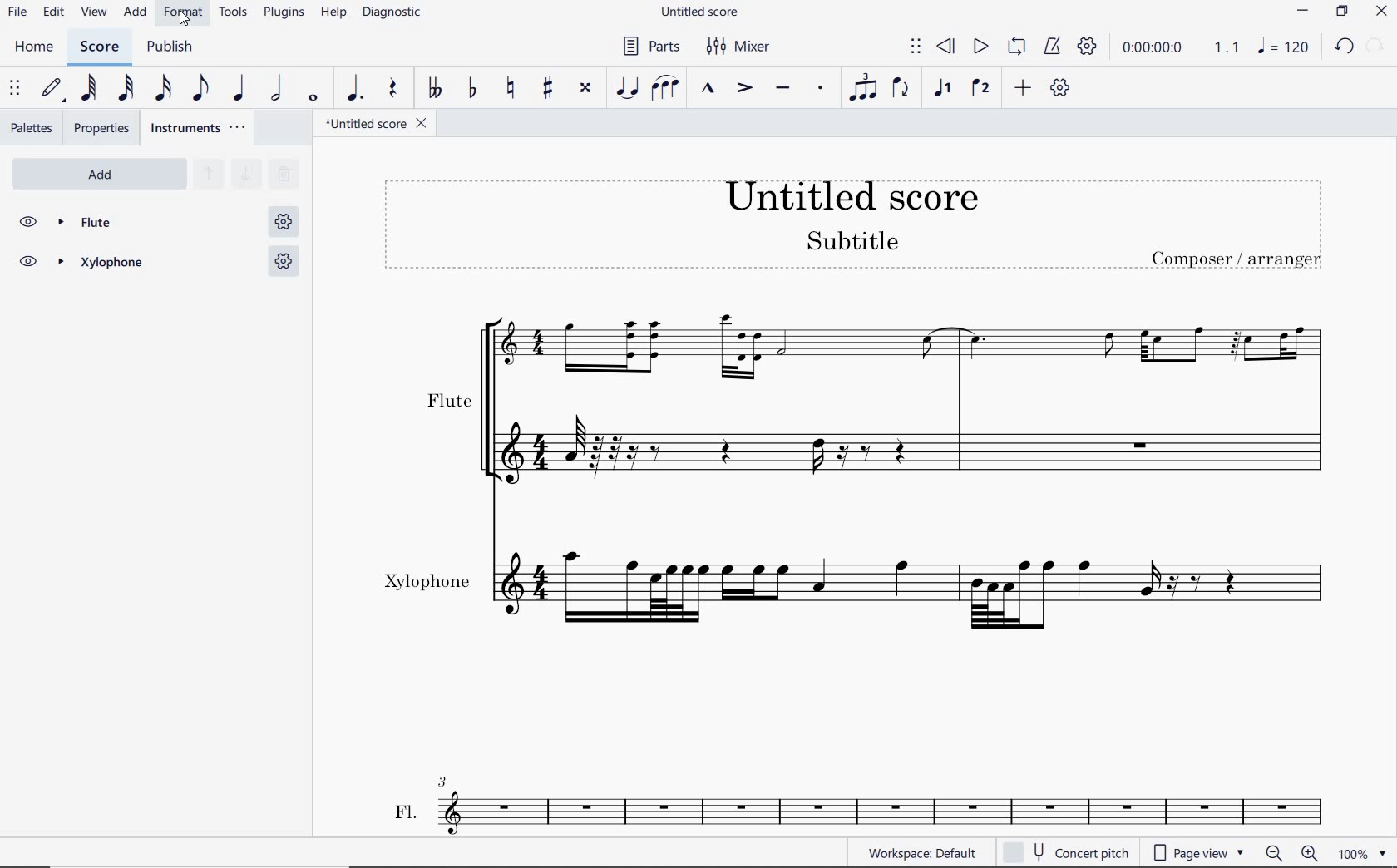  Describe the element at coordinates (510, 89) in the screenshot. I see `TOGGLE NATURAL` at that location.